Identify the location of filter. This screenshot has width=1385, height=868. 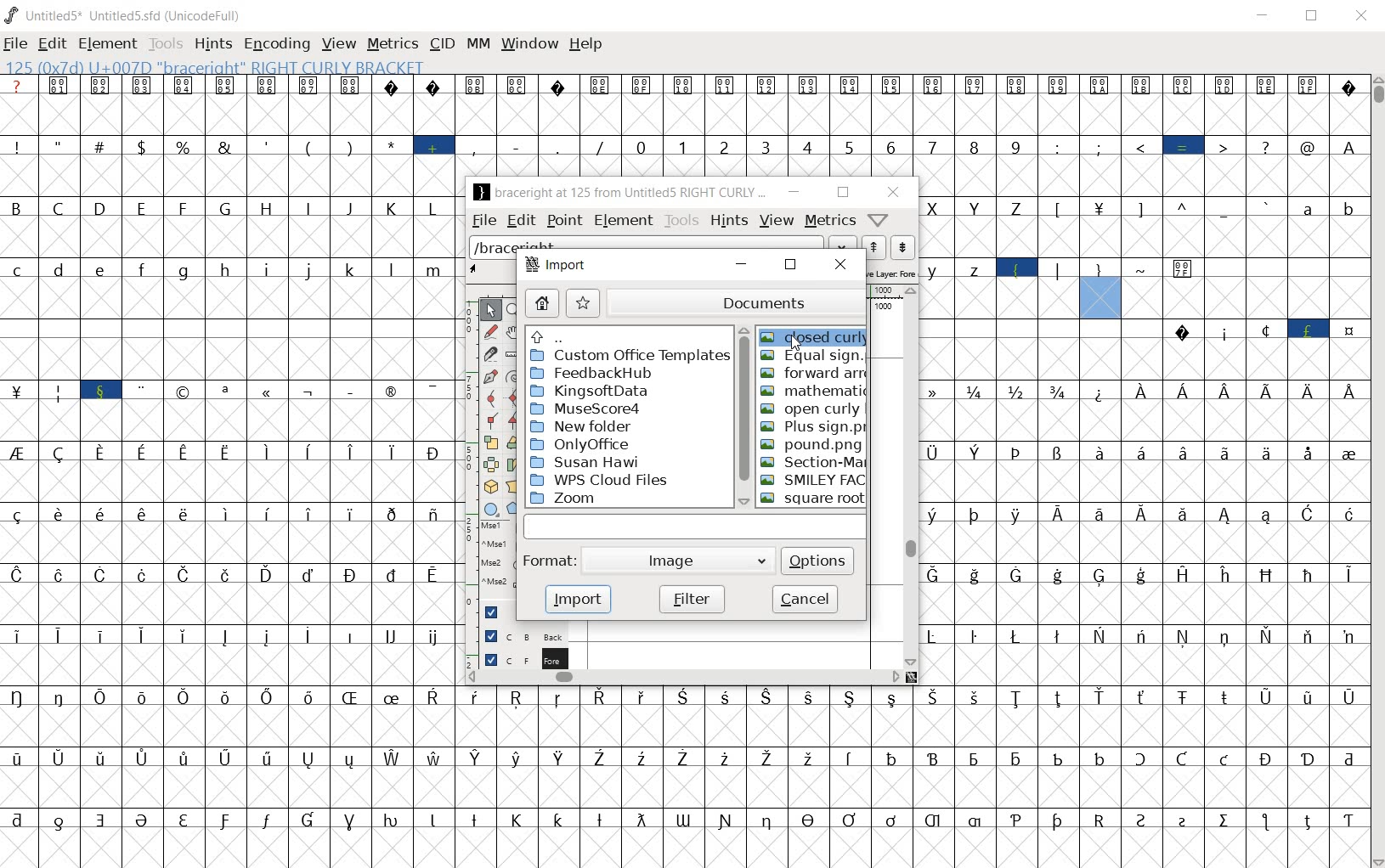
(693, 598).